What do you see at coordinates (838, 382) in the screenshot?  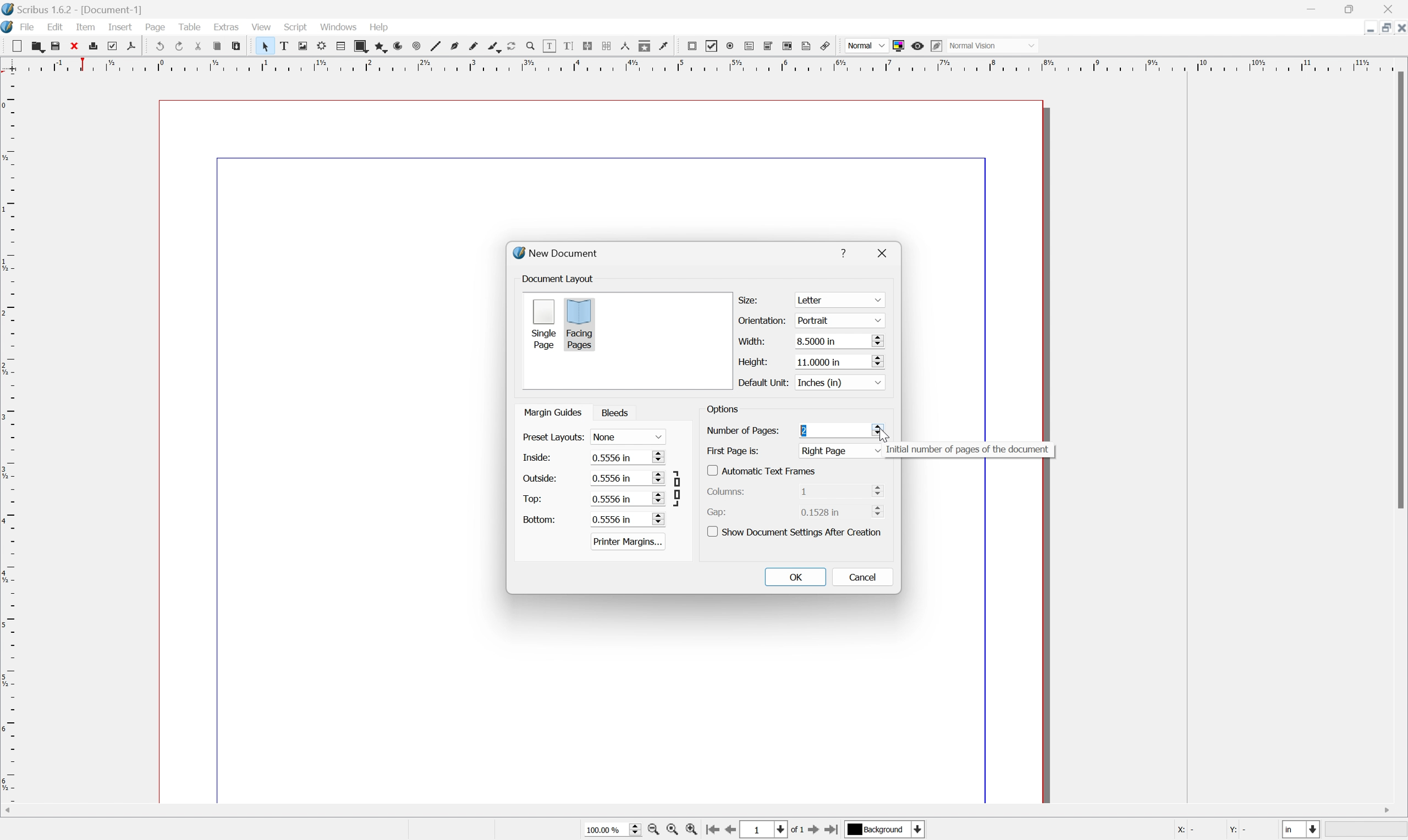 I see `inches (in)` at bounding box center [838, 382].